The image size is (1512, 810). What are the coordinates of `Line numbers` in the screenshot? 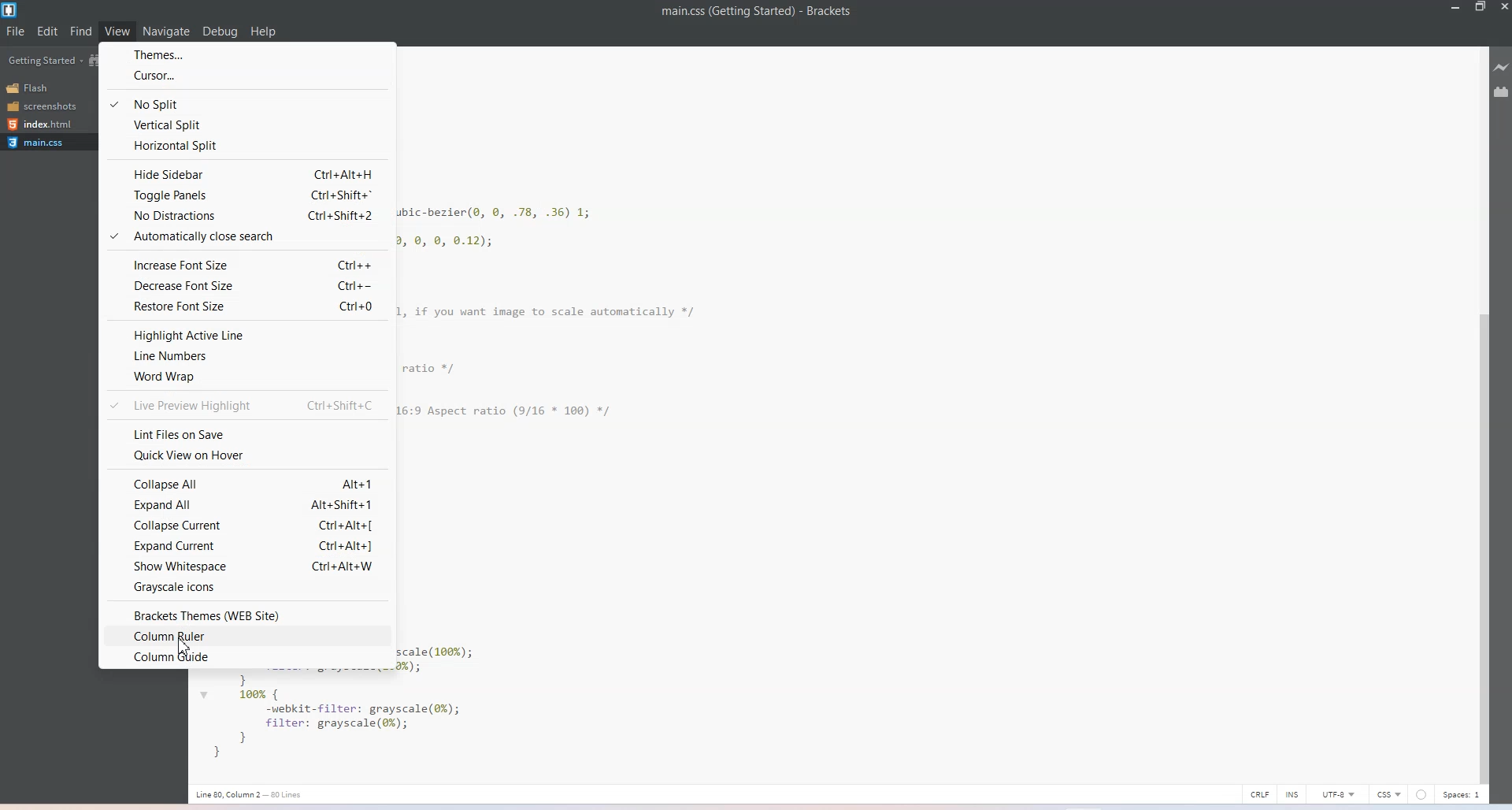 It's located at (246, 357).